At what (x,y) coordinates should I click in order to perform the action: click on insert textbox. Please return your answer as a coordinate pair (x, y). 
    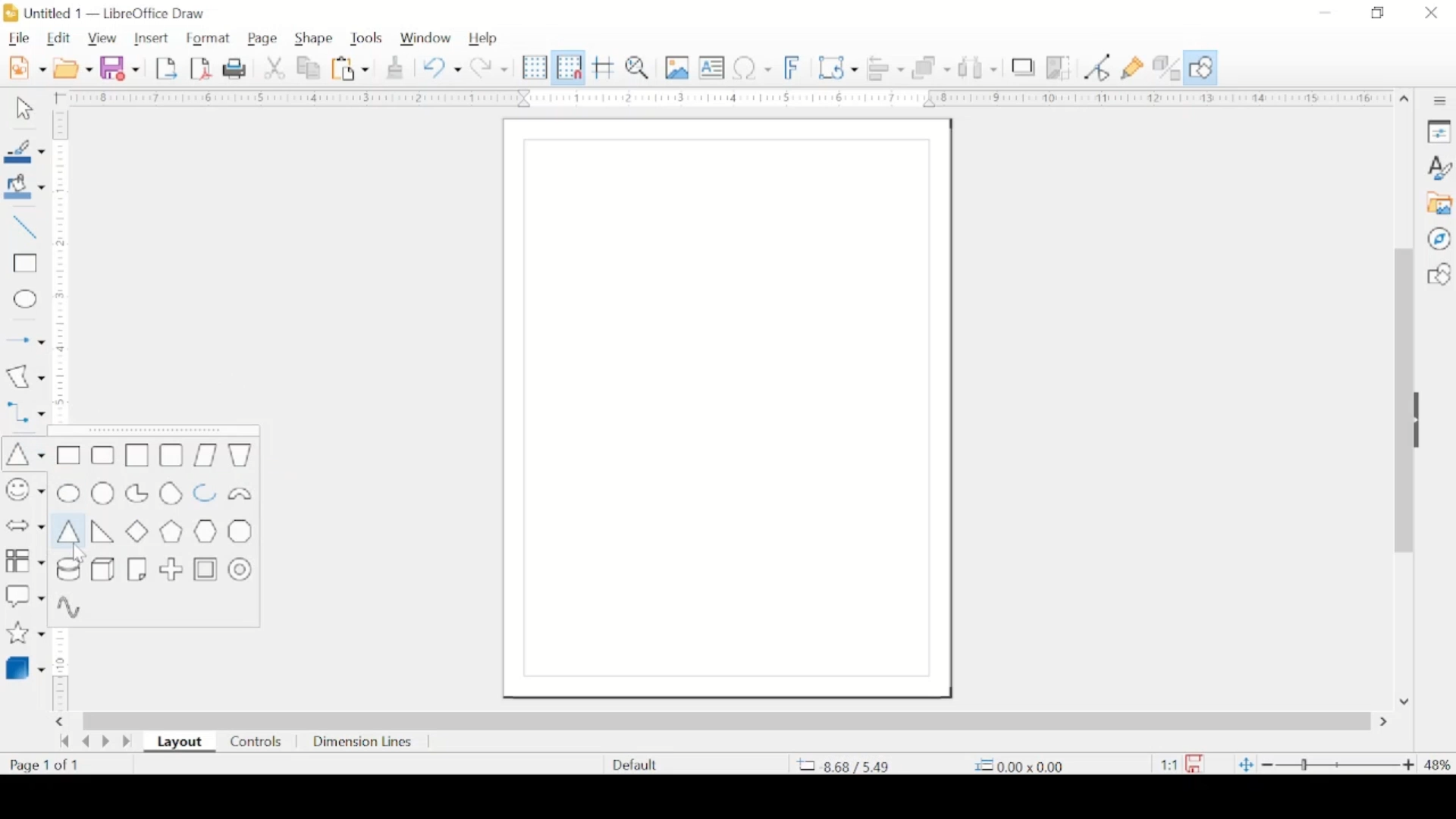
    Looking at the image, I should click on (711, 67).